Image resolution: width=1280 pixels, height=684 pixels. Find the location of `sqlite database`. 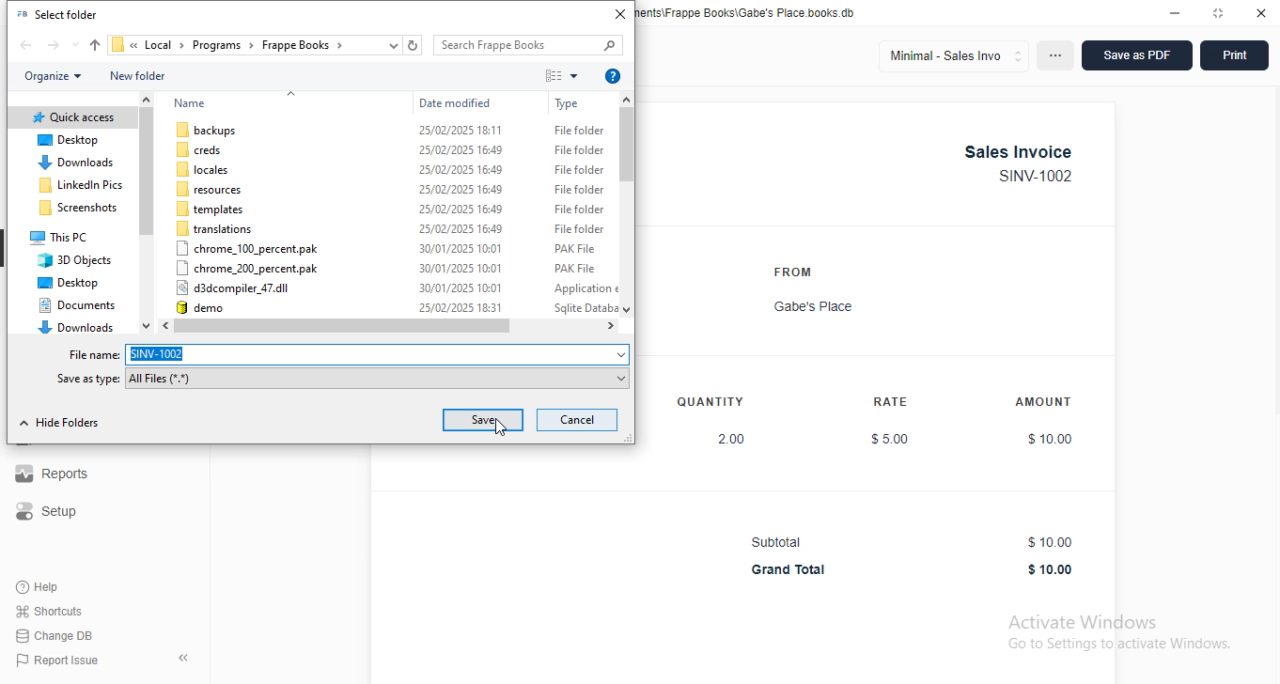

sqlite database is located at coordinates (586, 308).